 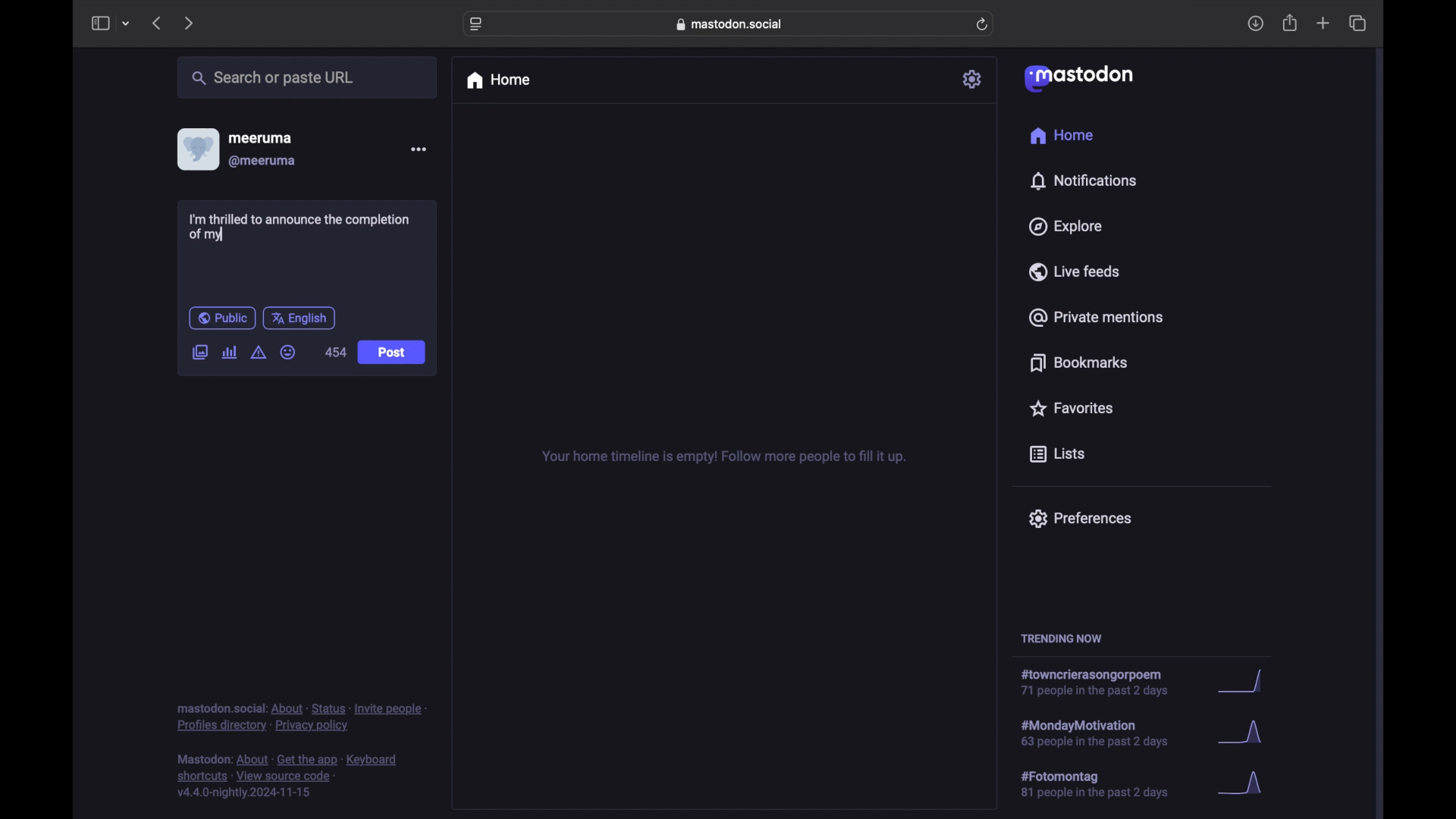 I want to click on home, so click(x=1063, y=135).